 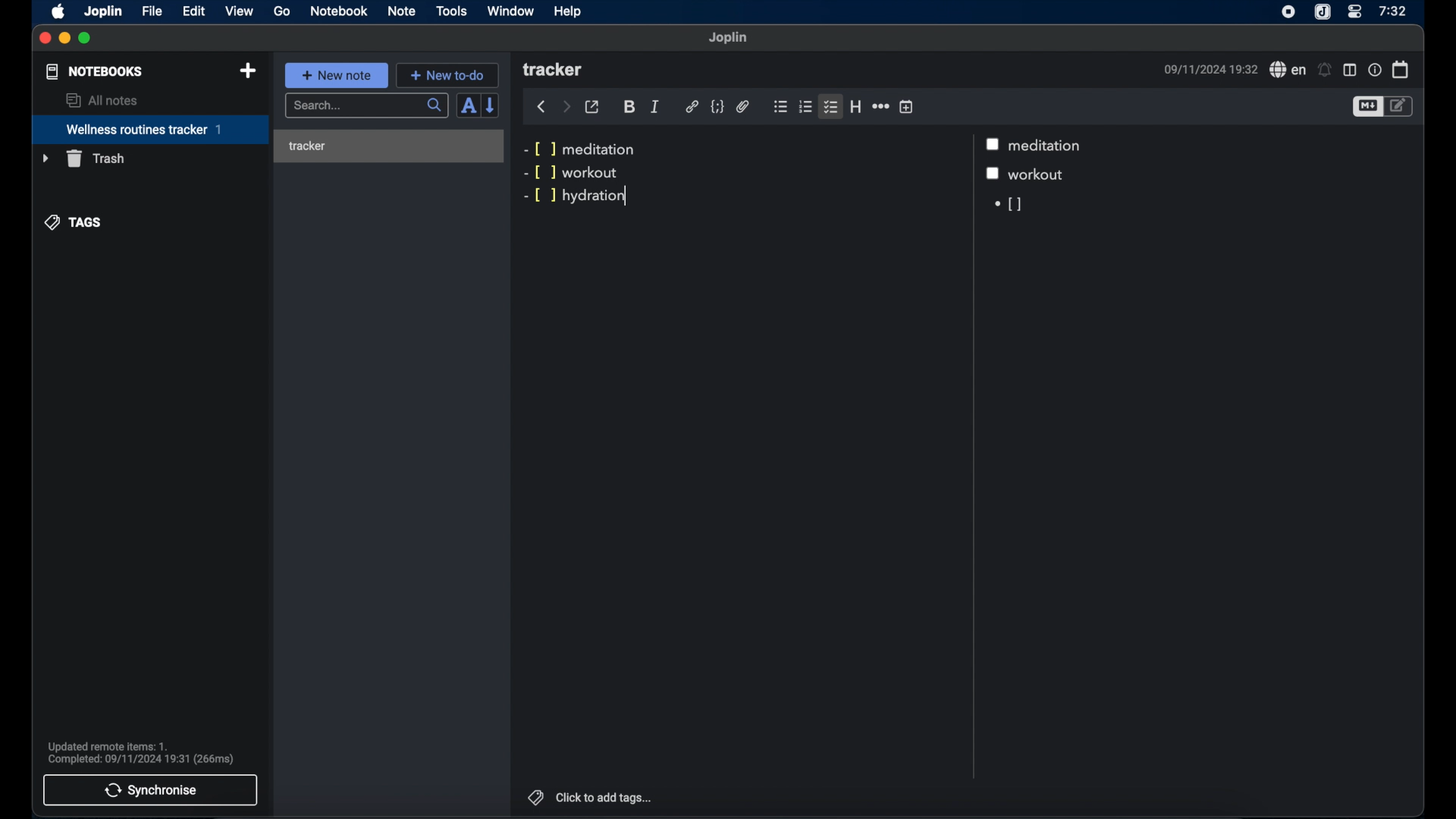 What do you see at coordinates (147, 751) in the screenshot?
I see `Updated remote items: 1. Complete: 09/11/2024 19:31 (266ms)` at bounding box center [147, 751].